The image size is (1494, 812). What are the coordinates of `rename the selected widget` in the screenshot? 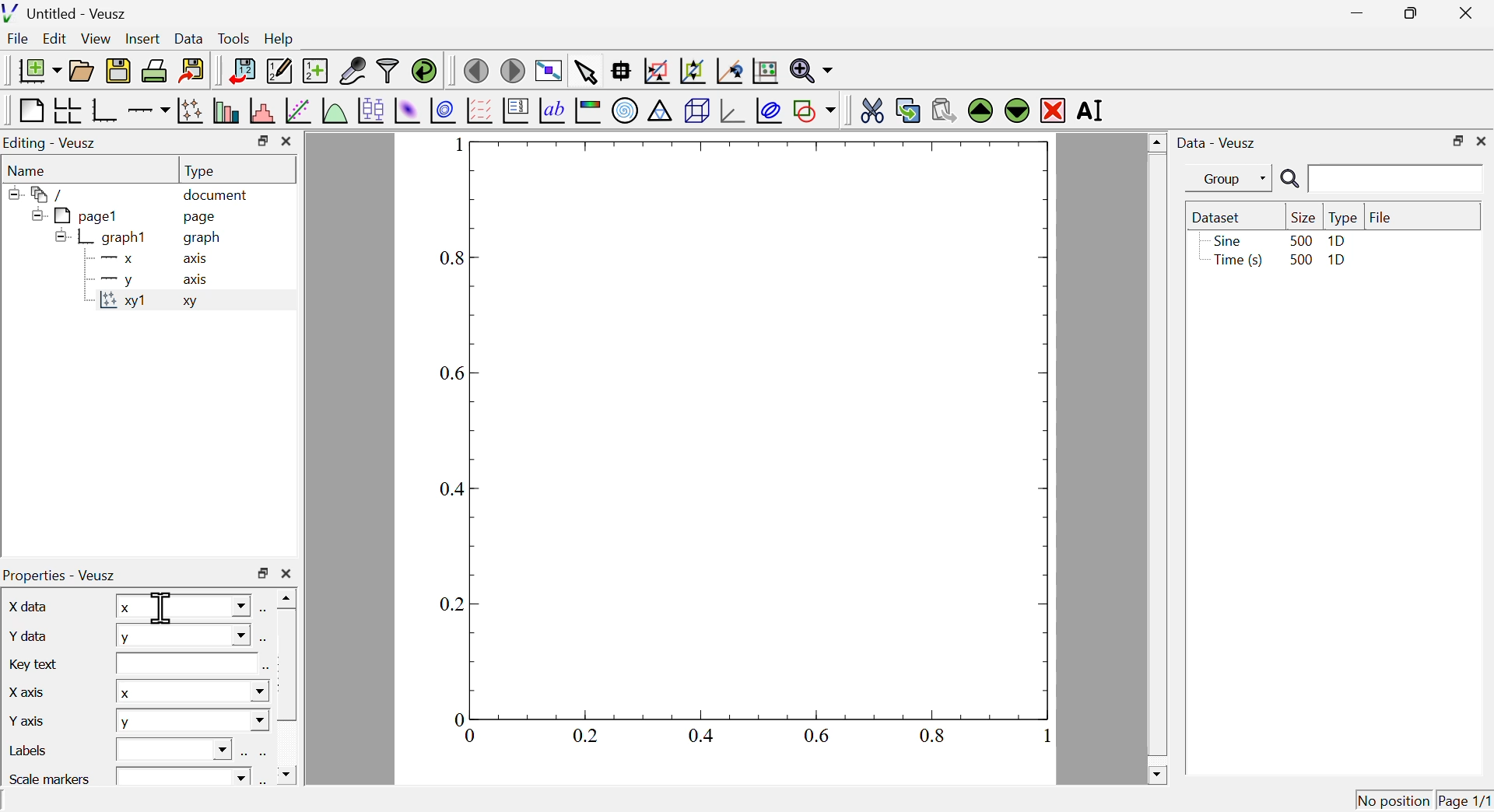 It's located at (1096, 111).